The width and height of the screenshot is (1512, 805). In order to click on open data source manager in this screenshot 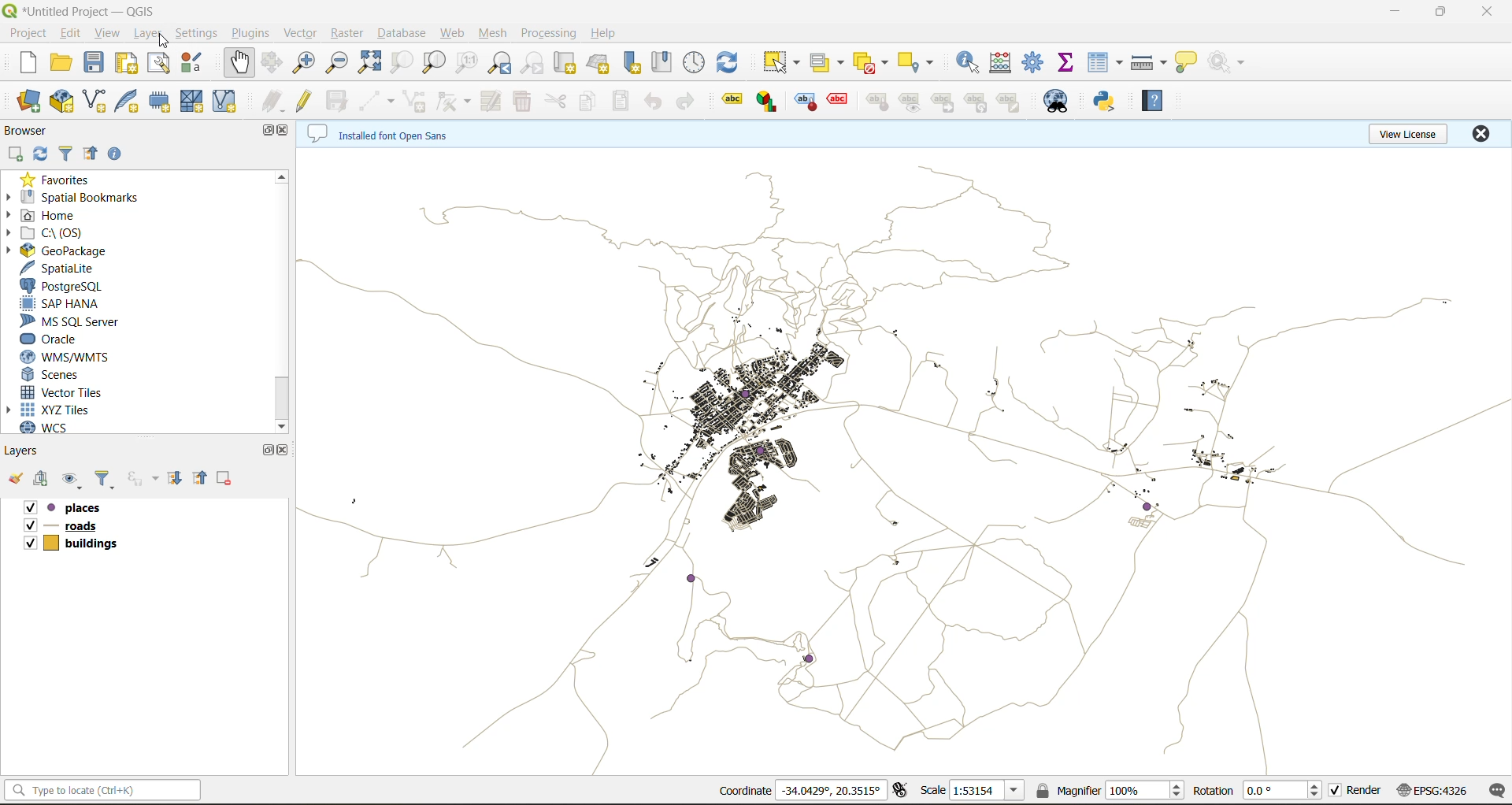, I will do `click(28, 102)`.